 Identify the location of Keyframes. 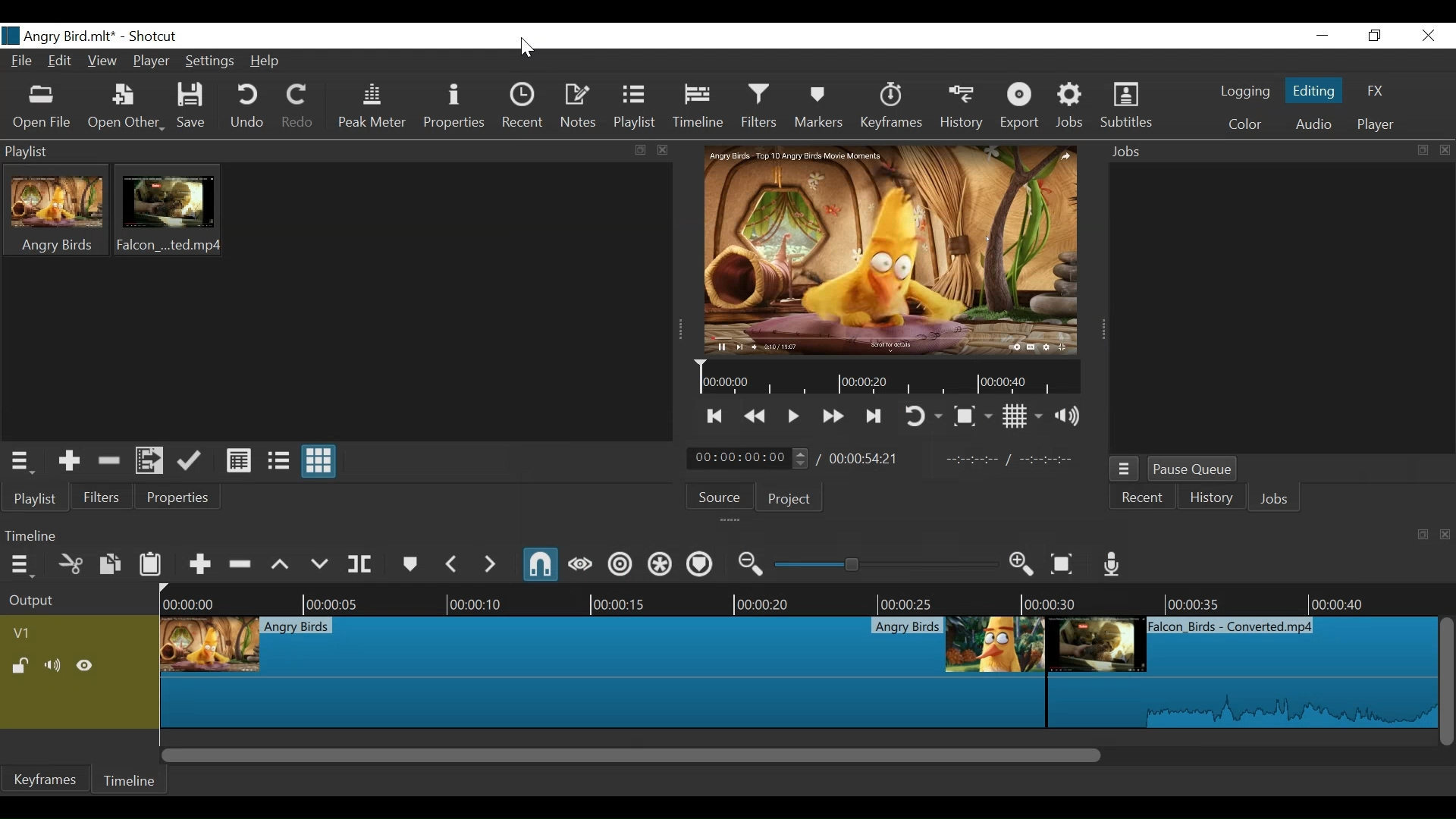
(893, 107).